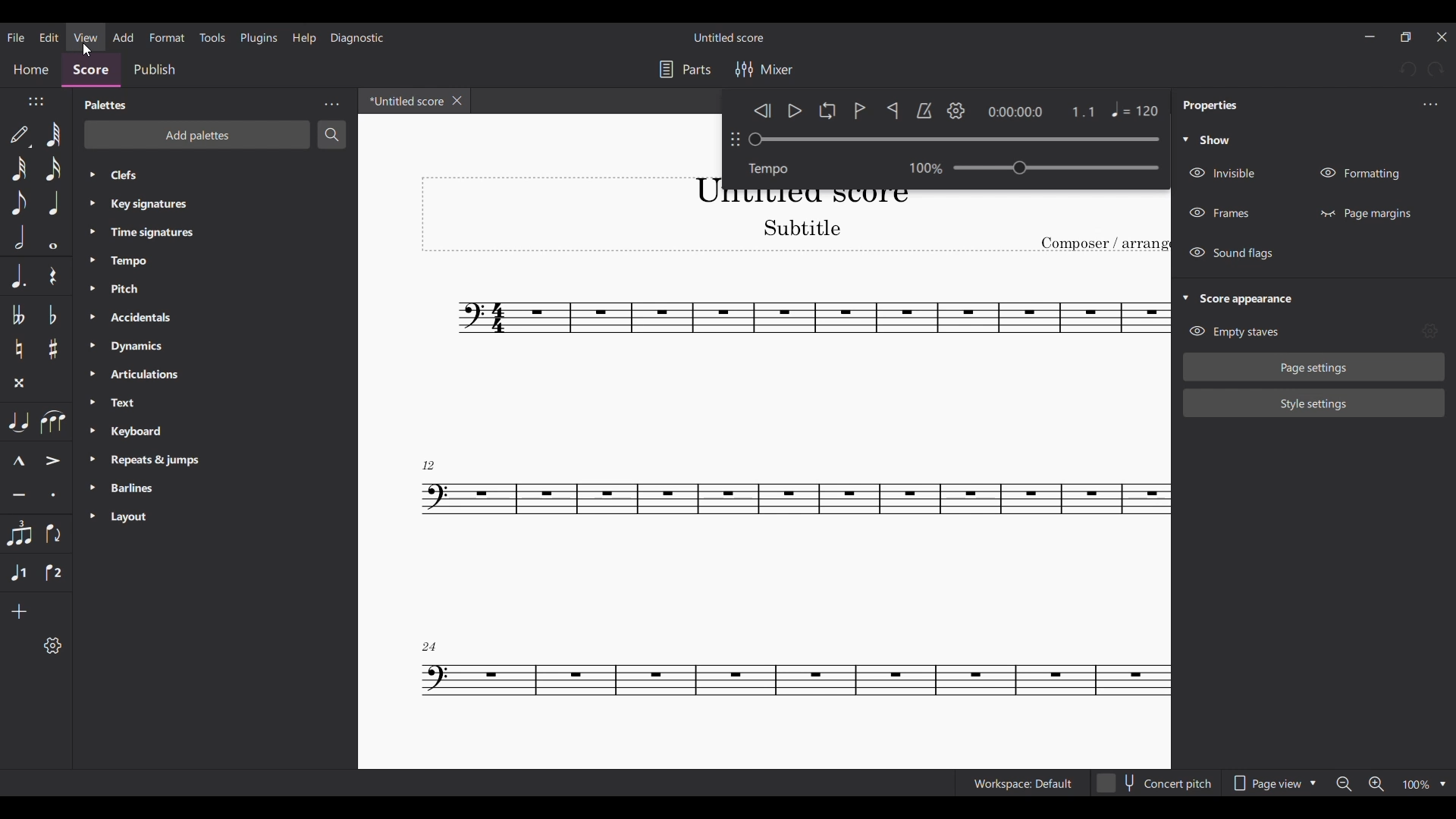 The width and height of the screenshot is (1456, 819). I want to click on Staccato, so click(52, 494).